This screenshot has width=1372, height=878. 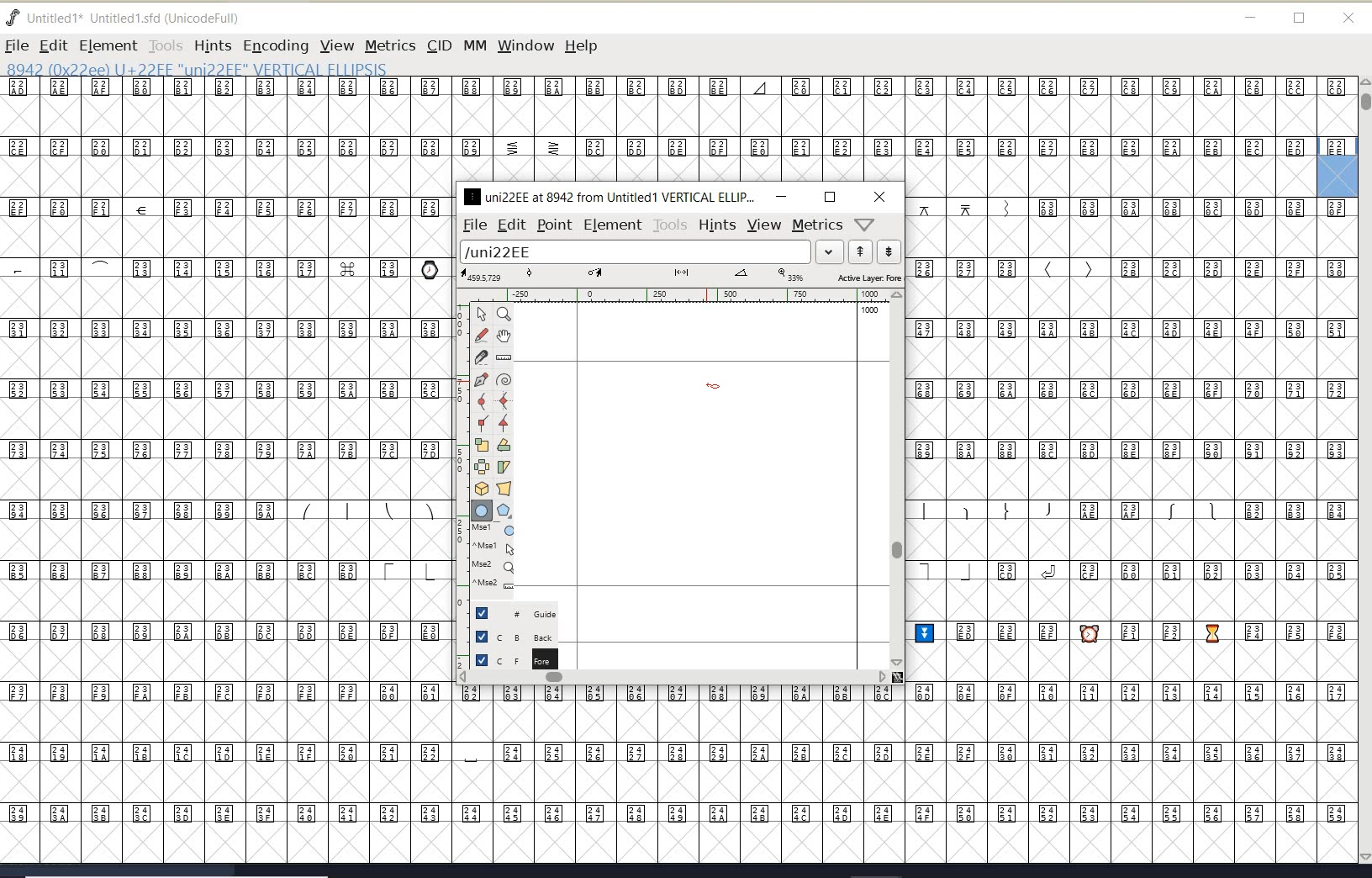 I want to click on scrollbar, so click(x=895, y=479).